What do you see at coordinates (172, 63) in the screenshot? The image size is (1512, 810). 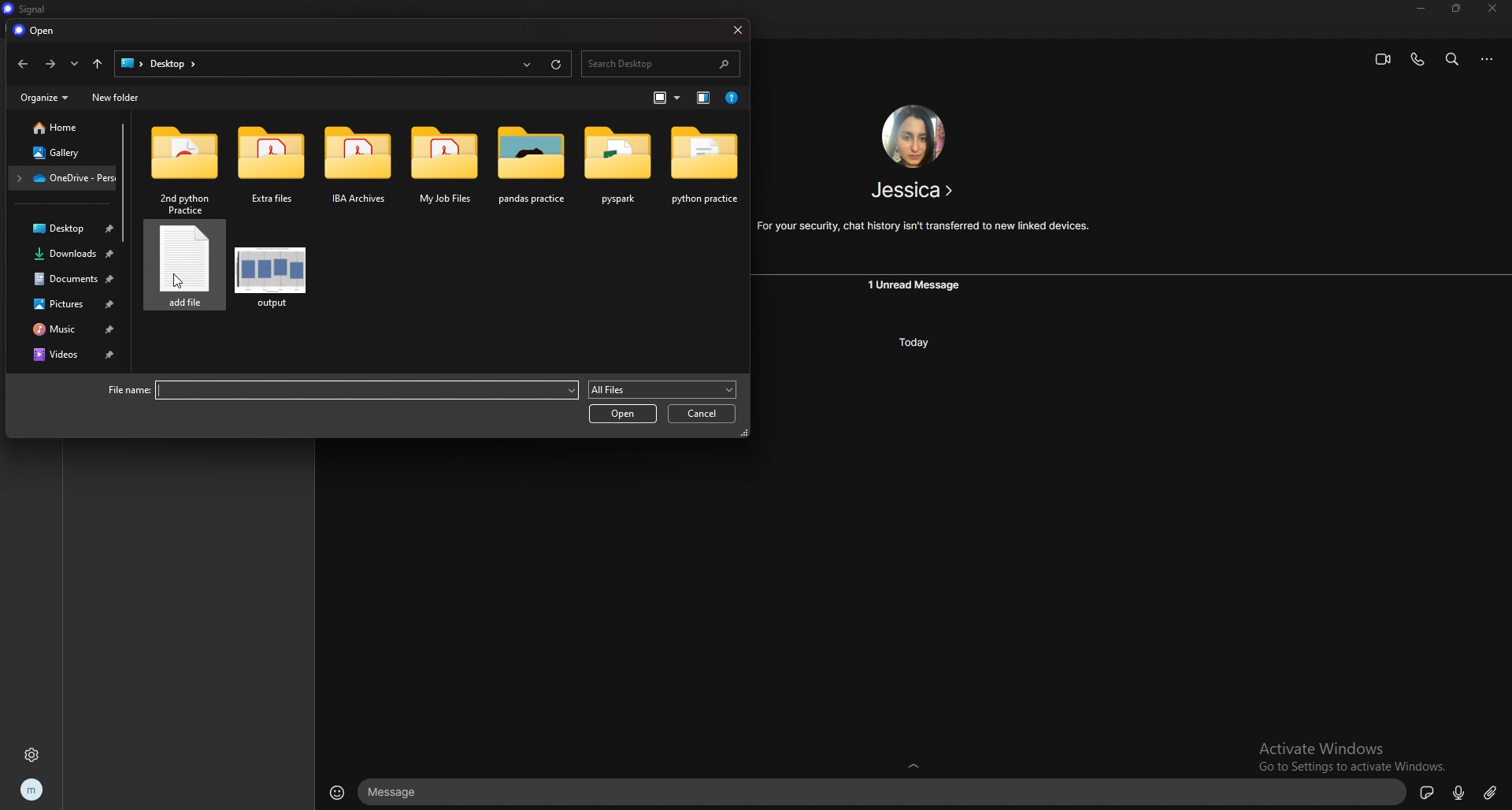 I see `folder` at bounding box center [172, 63].